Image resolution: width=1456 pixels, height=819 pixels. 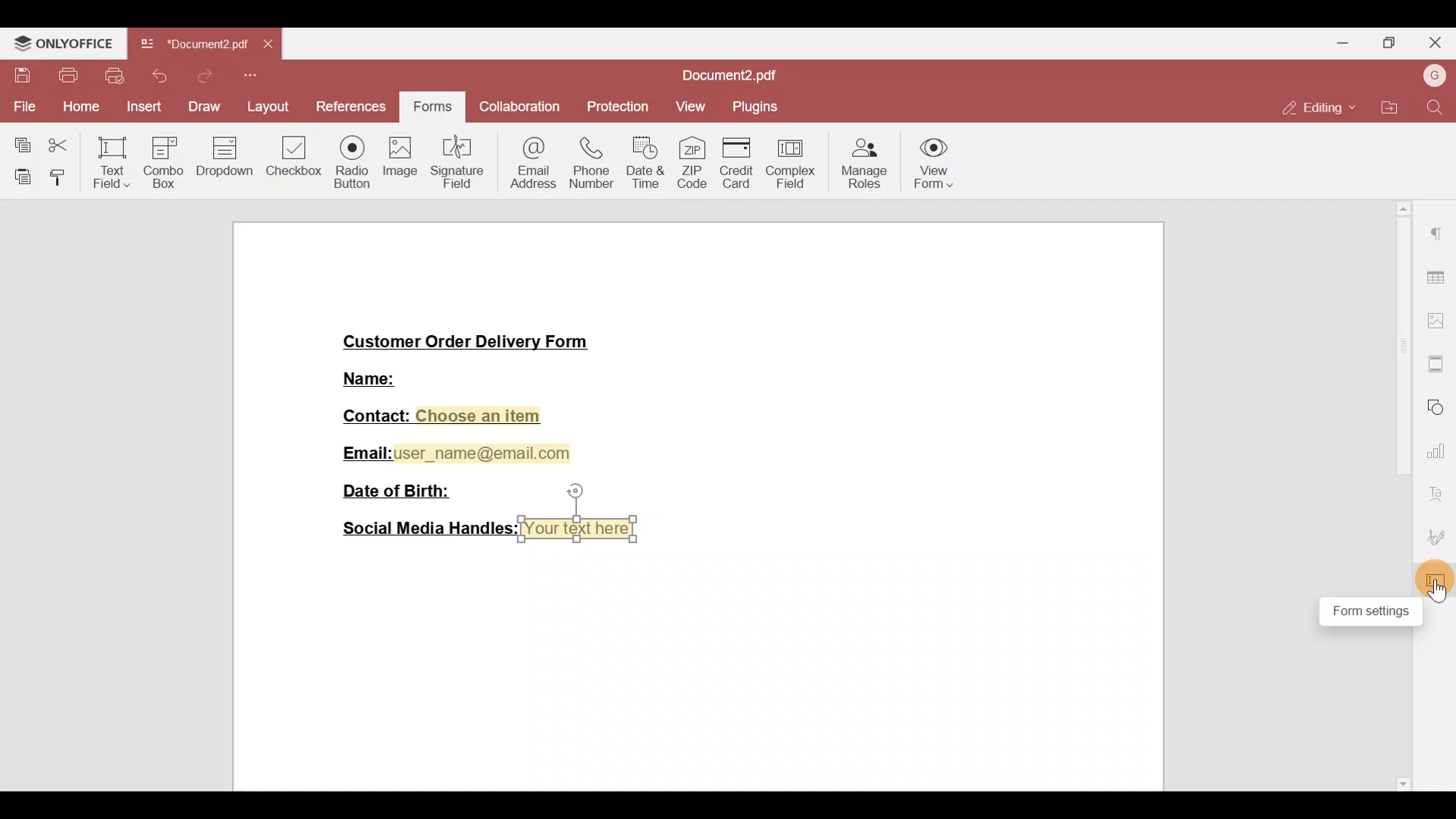 What do you see at coordinates (1441, 536) in the screenshot?
I see `Signature settings` at bounding box center [1441, 536].